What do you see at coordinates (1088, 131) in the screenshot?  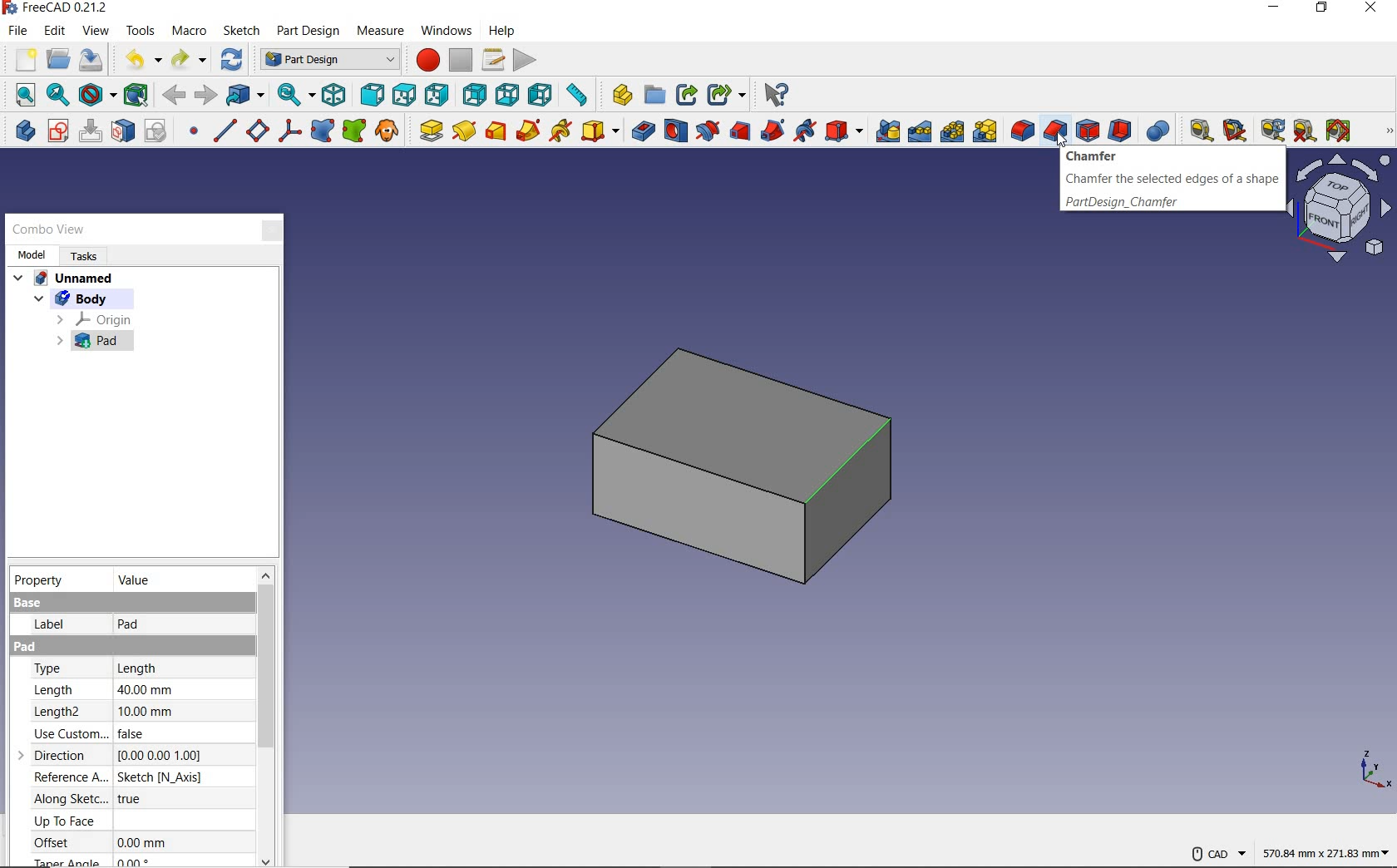 I see `draft` at bounding box center [1088, 131].